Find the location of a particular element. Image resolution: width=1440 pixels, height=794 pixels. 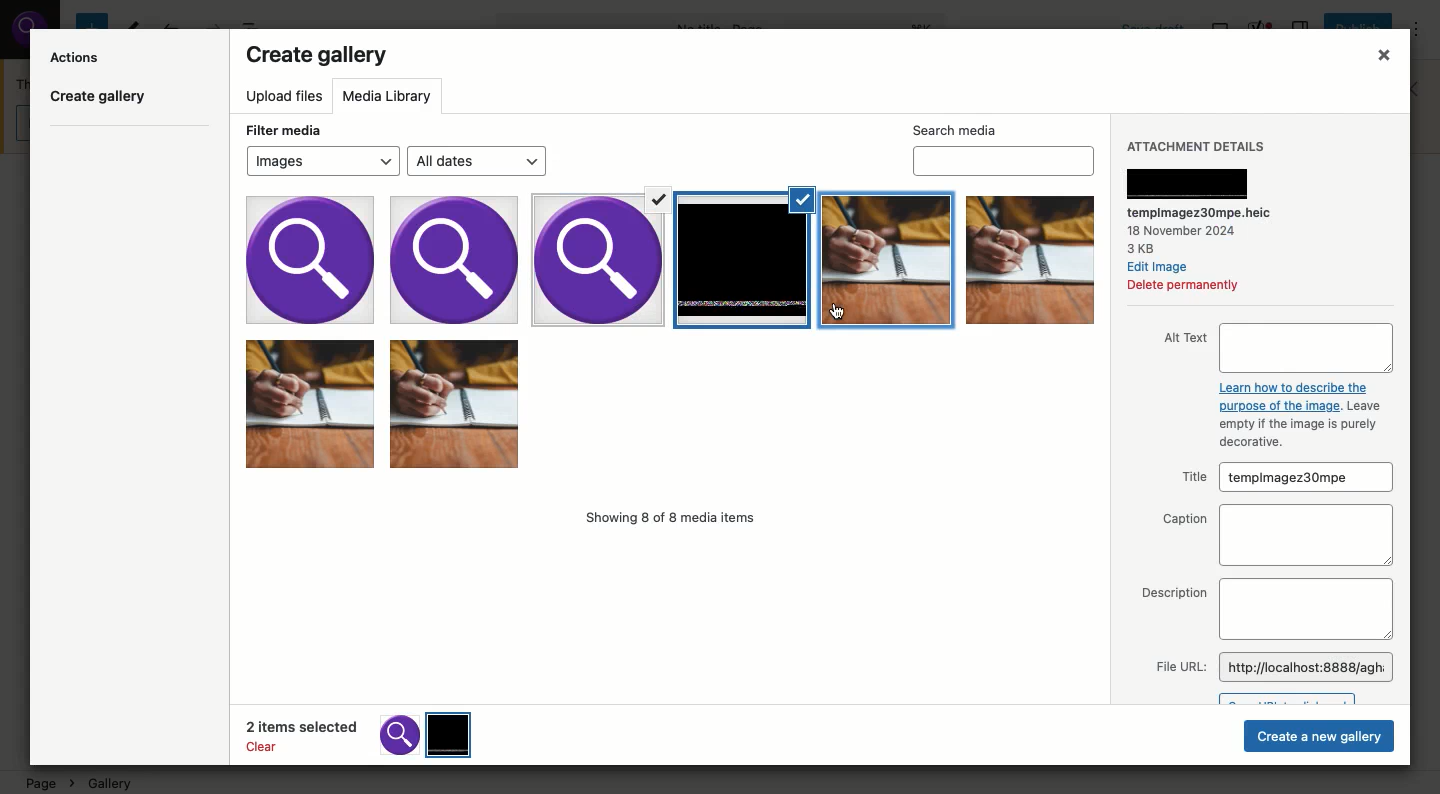

Description is located at coordinates (1264, 609).